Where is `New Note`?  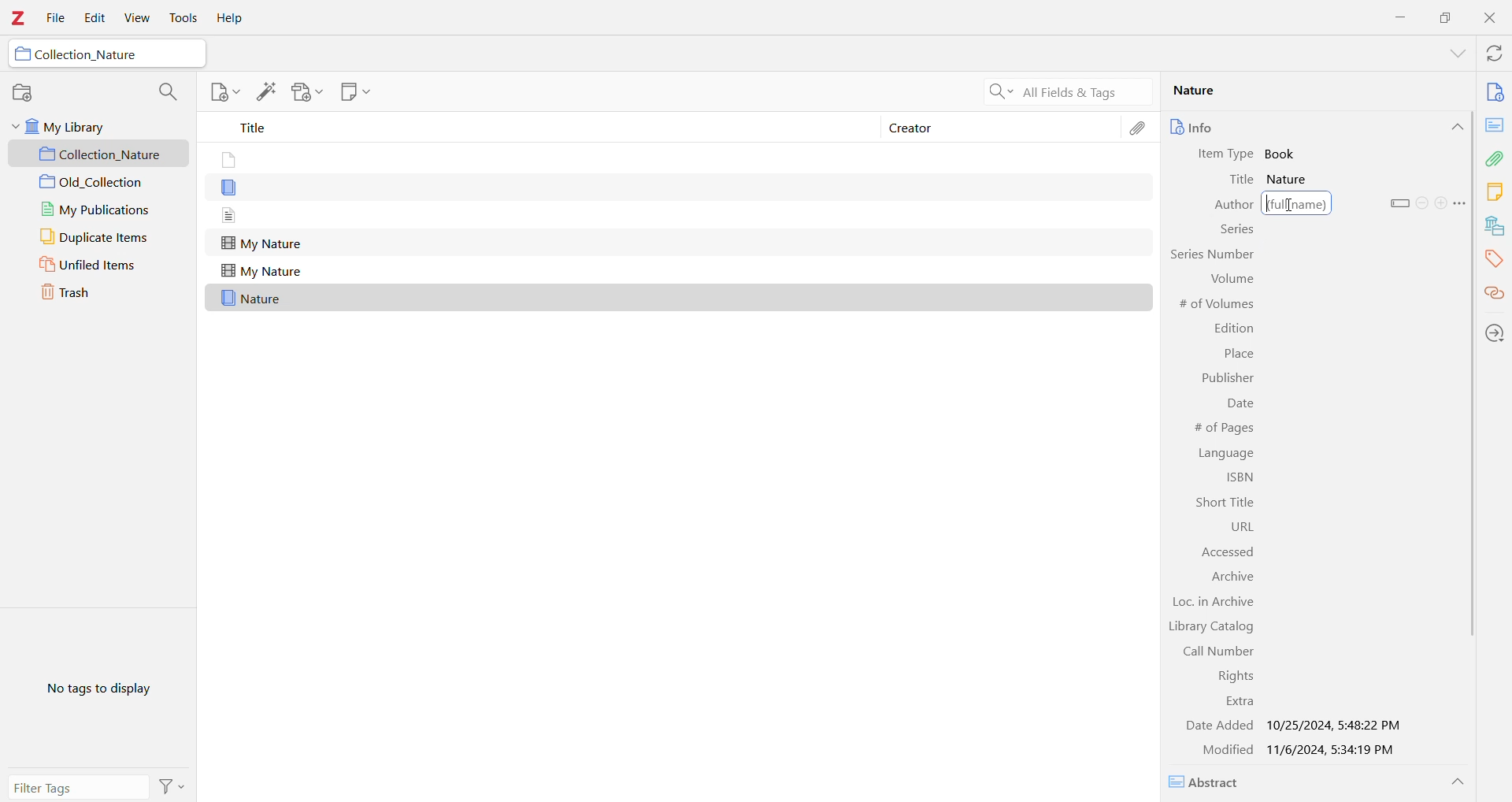 New Note is located at coordinates (354, 91).